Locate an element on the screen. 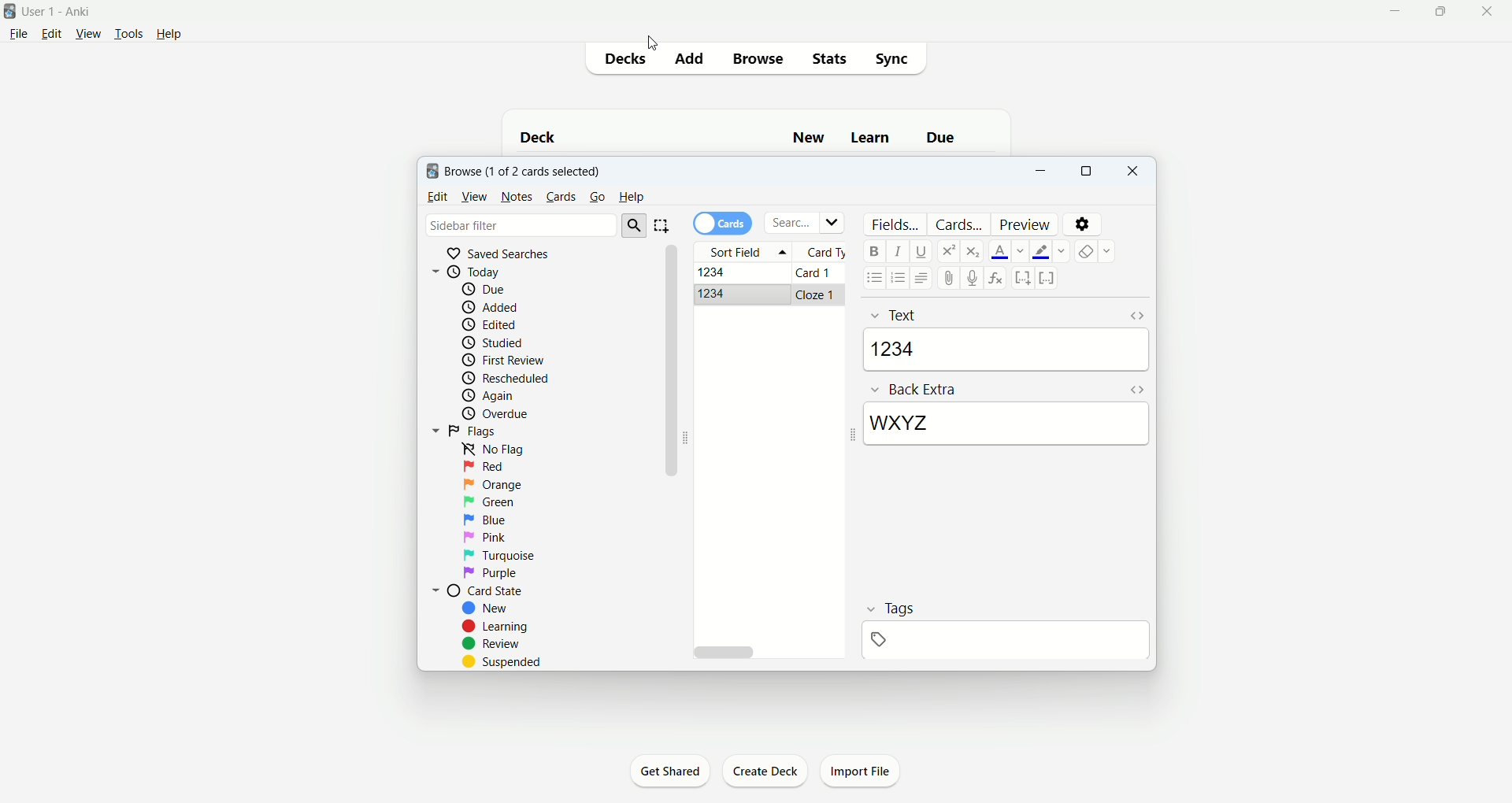 This screenshot has width=1512, height=803. attachment is located at coordinates (950, 279).